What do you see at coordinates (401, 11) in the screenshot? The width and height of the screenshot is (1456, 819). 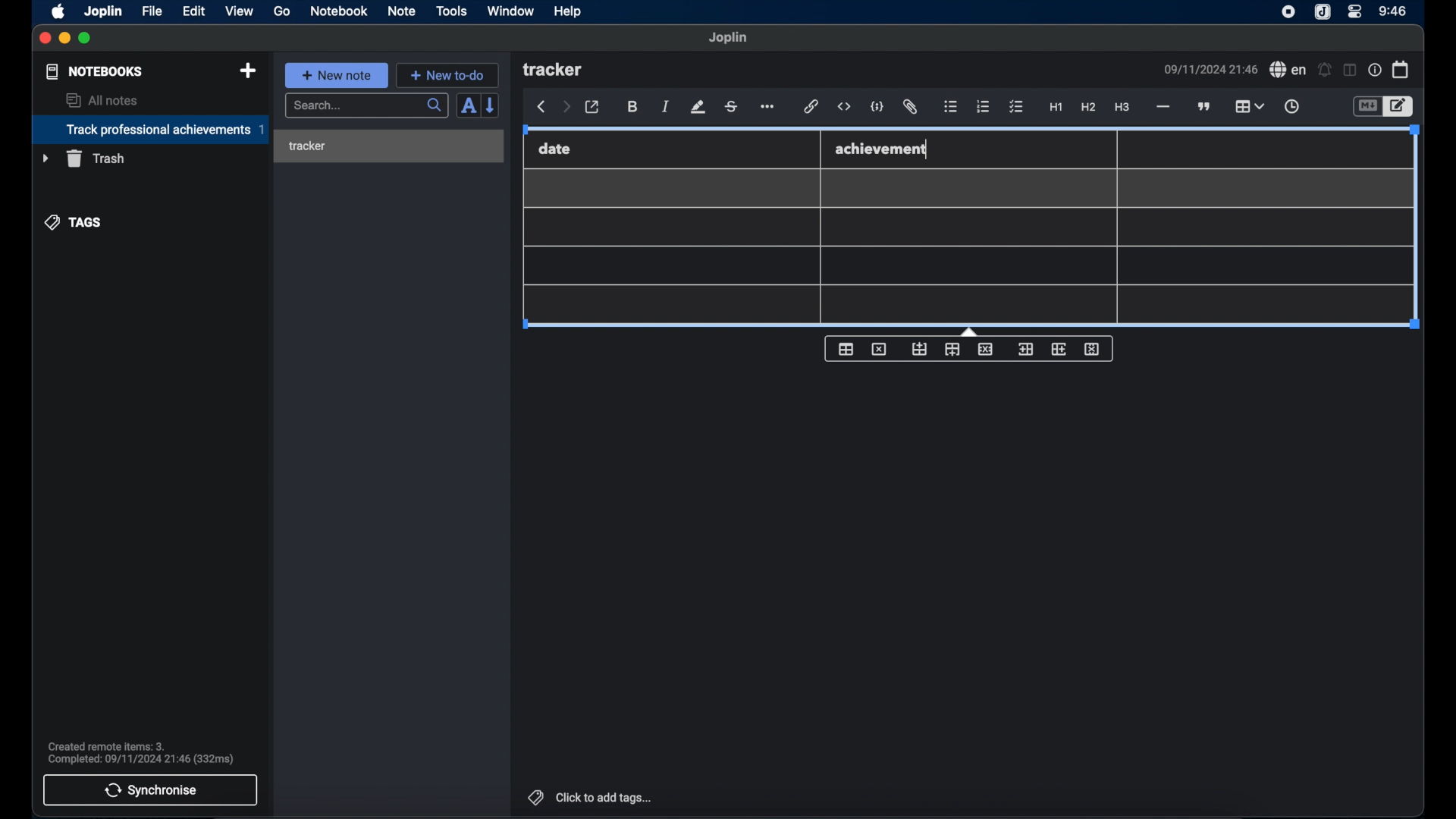 I see `note` at bounding box center [401, 11].